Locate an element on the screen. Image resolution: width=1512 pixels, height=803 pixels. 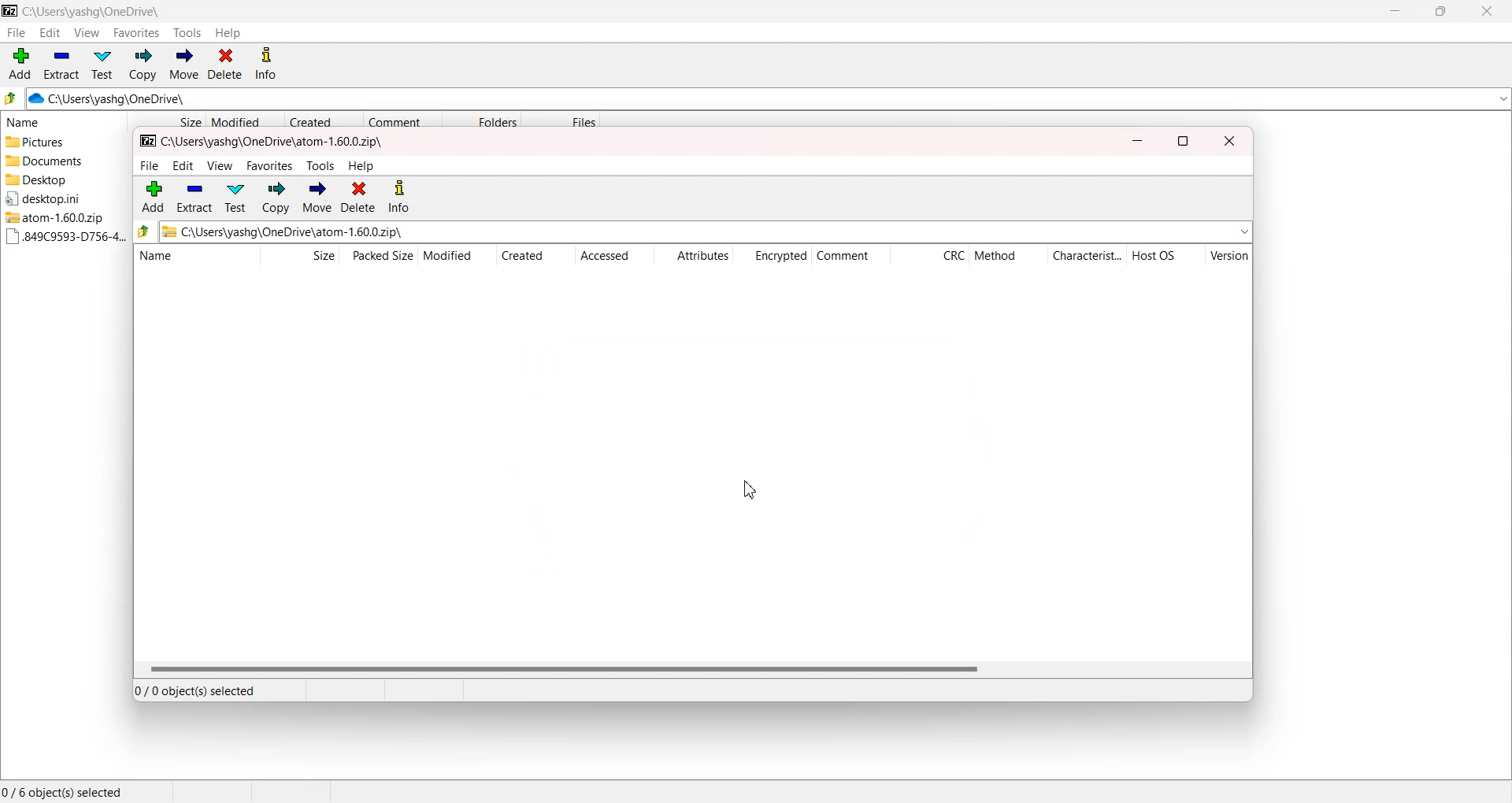
Zip file path address - C:\Users\yashg\OneDrive\atom-1.60.0.zip\ is located at coordinates (283, 231).